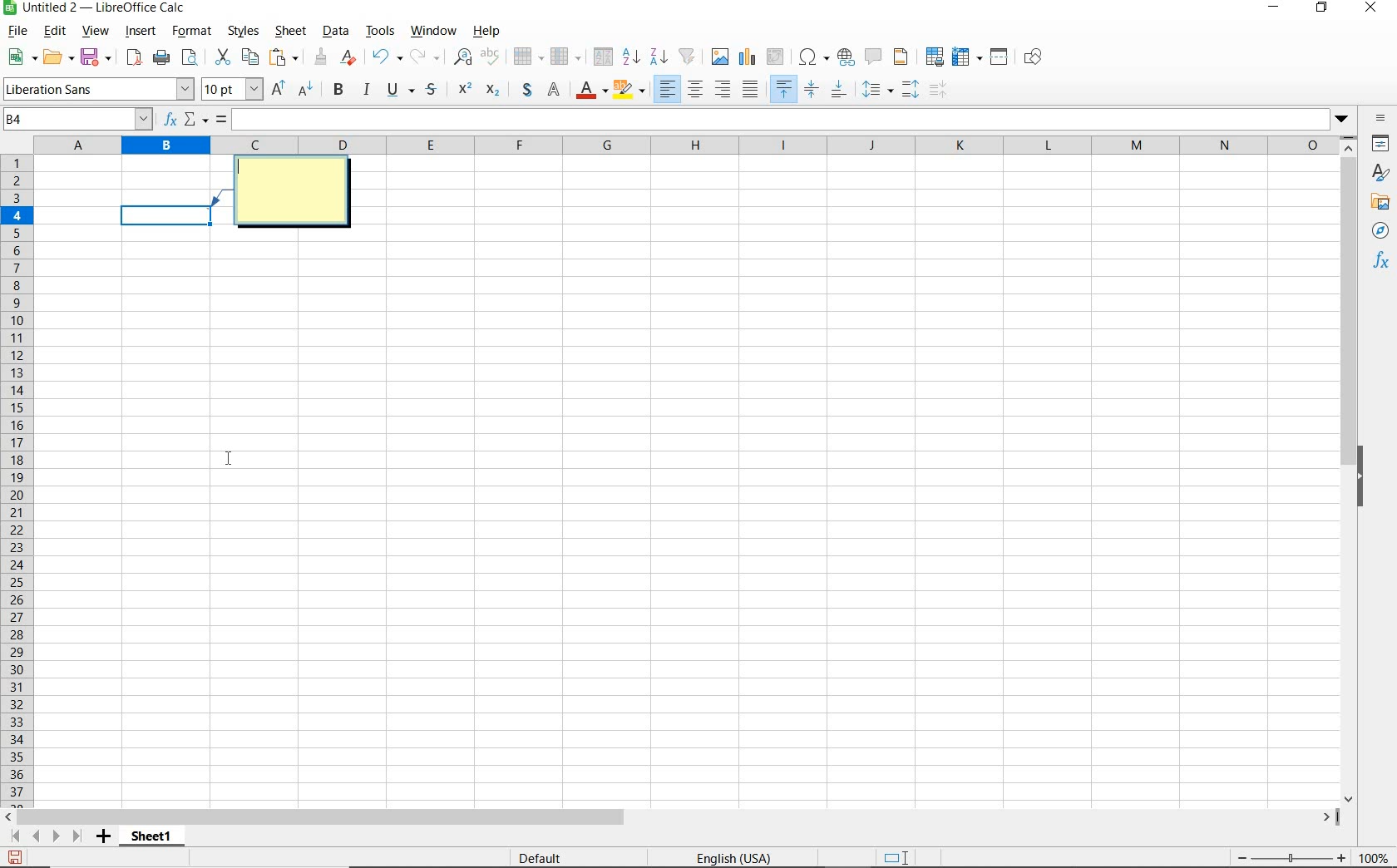 This screenshot has height=868, width=1397. I want to click on Align right, so click(723, 91).